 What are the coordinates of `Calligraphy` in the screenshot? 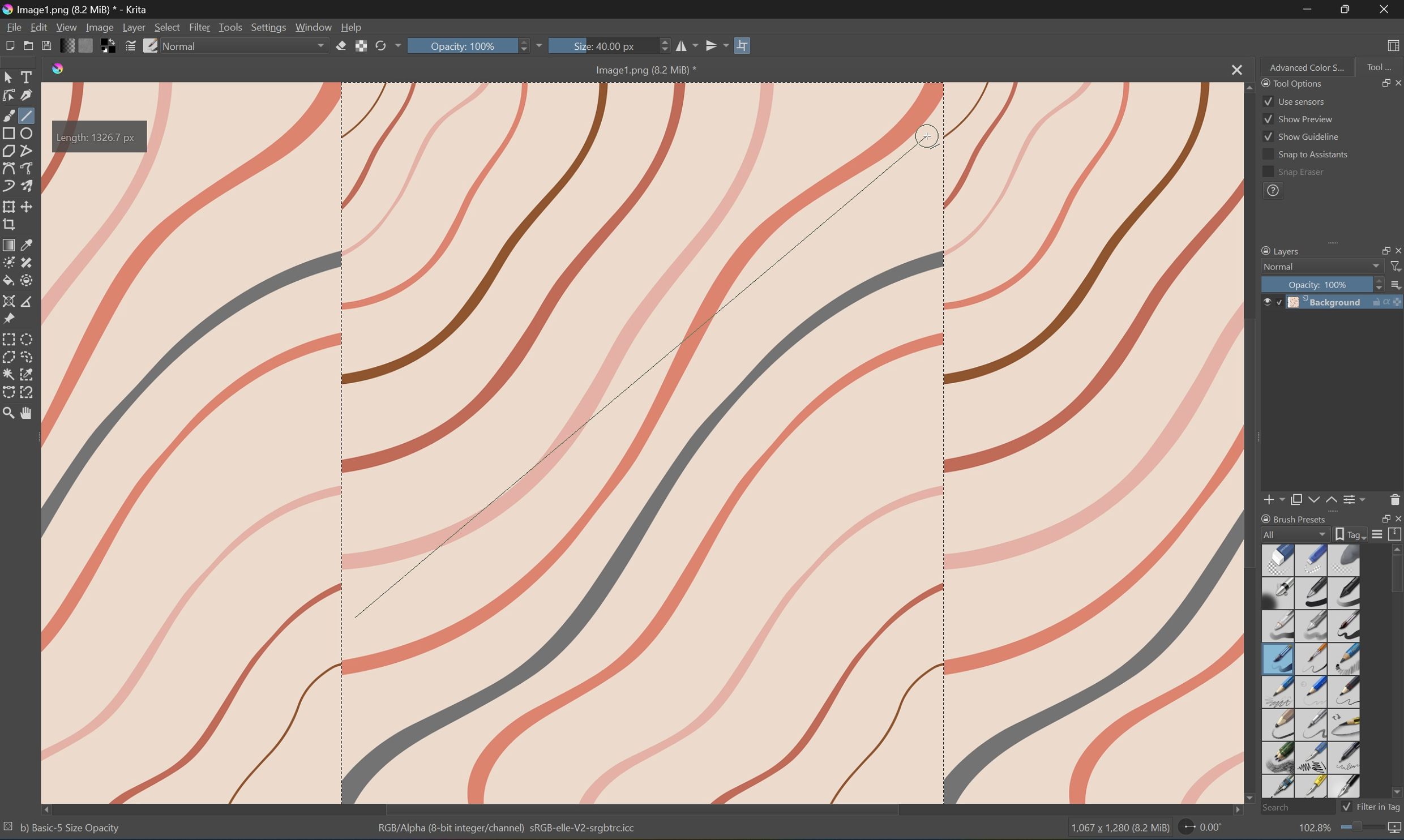 It's located at (27, 95).